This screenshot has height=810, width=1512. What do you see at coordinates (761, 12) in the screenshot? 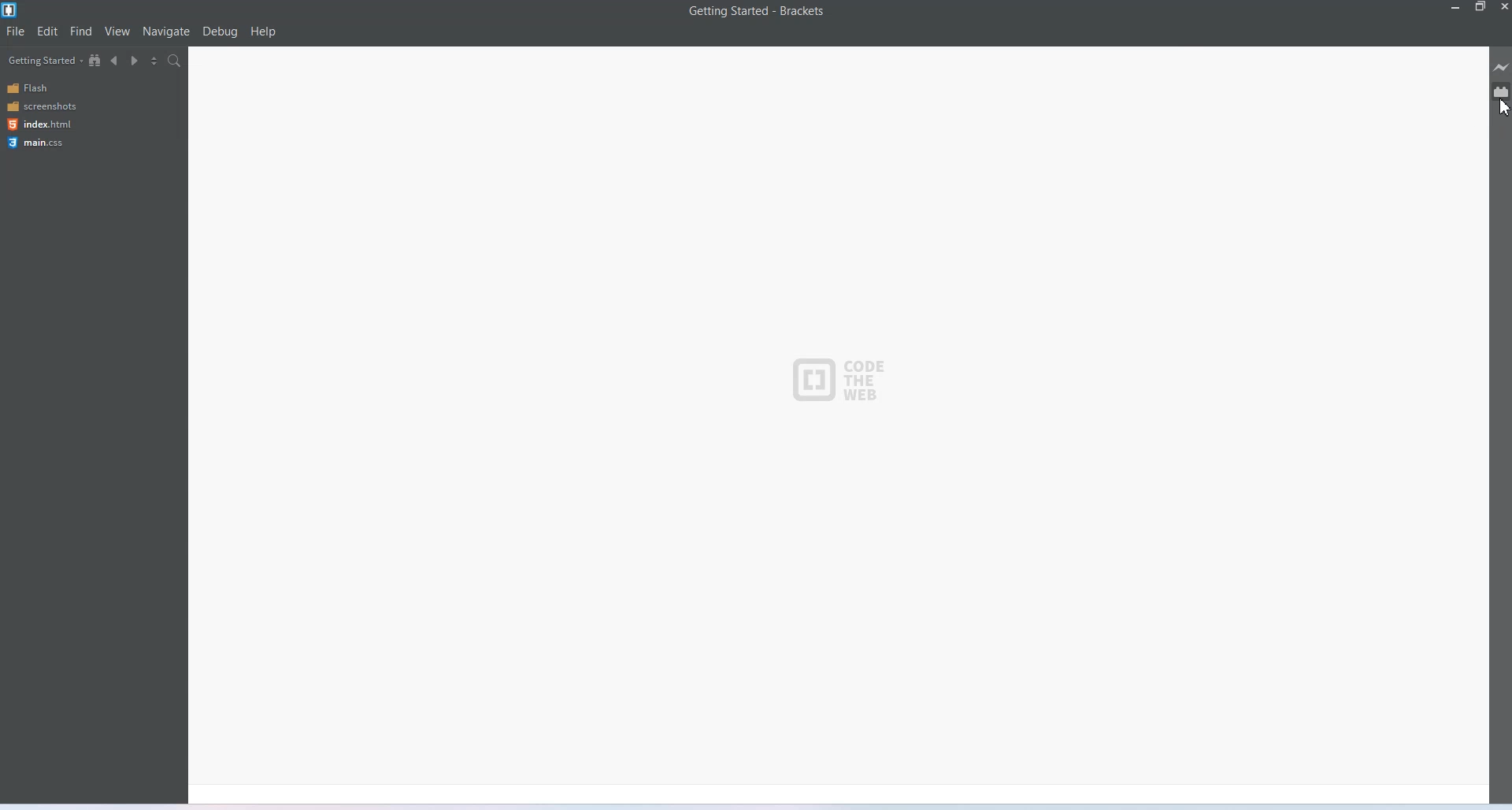
I see `Getting started -Brackets` at bounding box center [761, 12].